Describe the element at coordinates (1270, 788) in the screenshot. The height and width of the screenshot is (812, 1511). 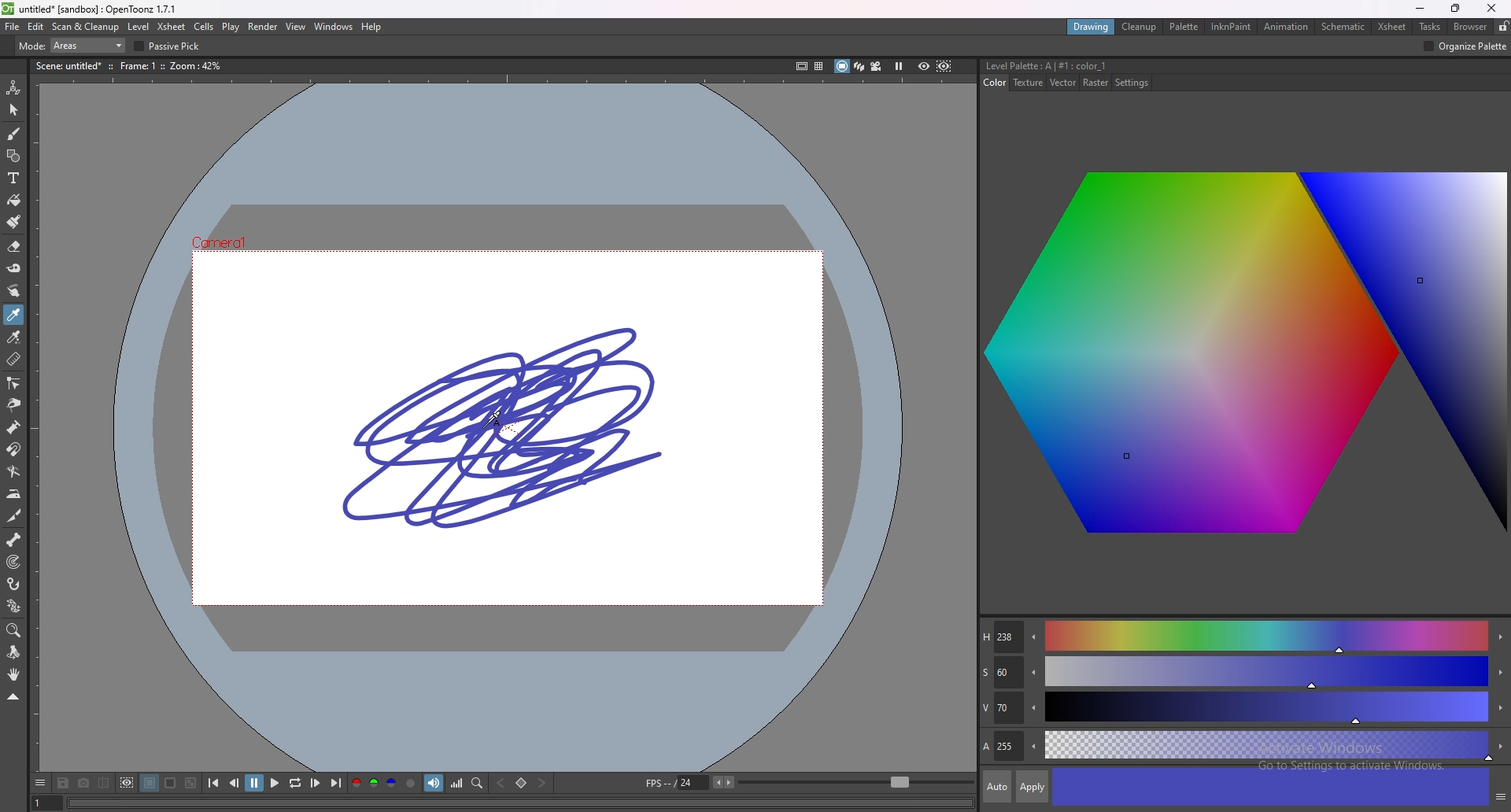
I see `color preview` at that location.